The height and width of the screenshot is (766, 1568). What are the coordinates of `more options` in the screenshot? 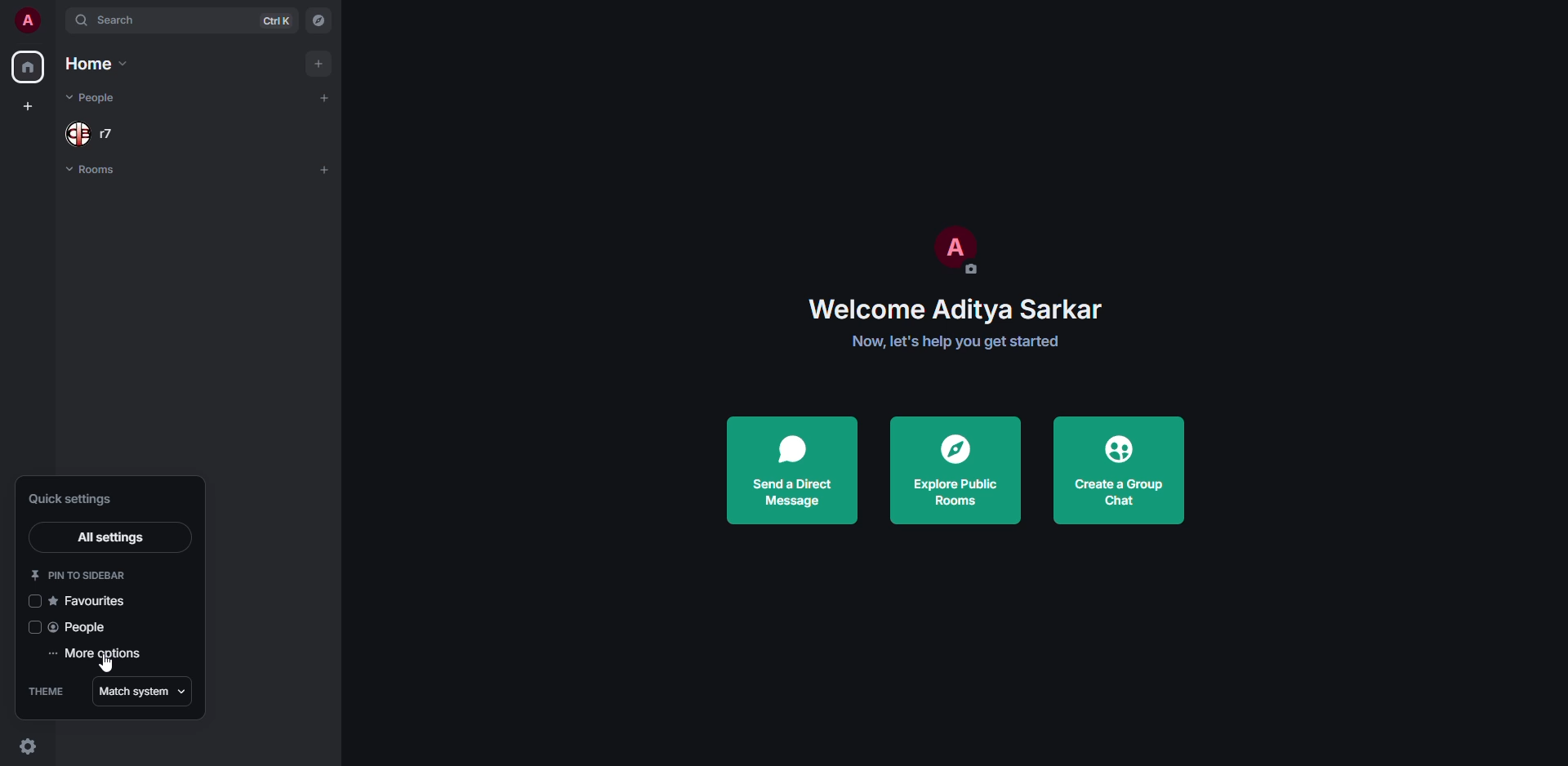 It's located at (105, 654).